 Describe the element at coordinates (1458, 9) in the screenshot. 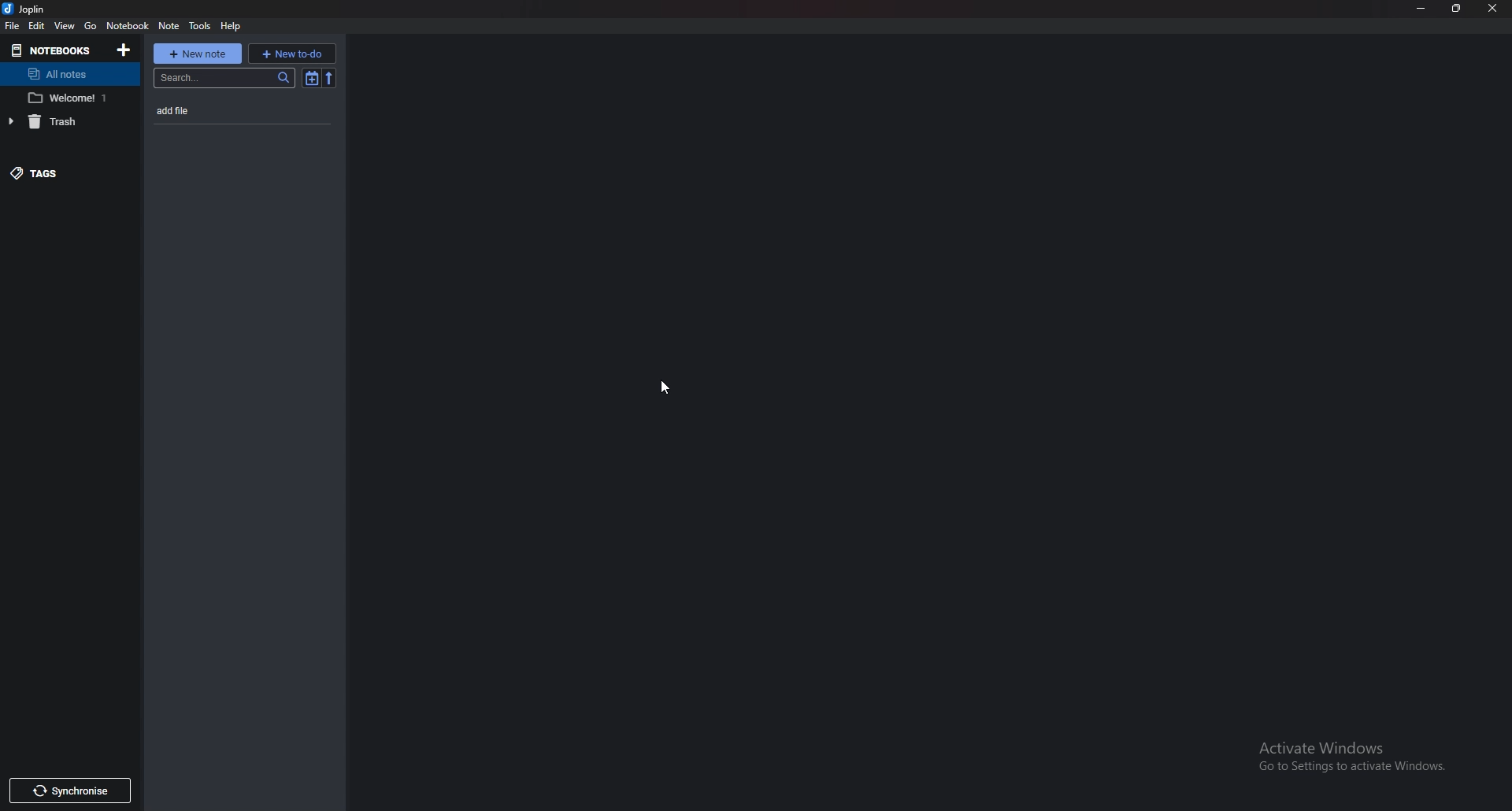

I see `Resize` at that location.